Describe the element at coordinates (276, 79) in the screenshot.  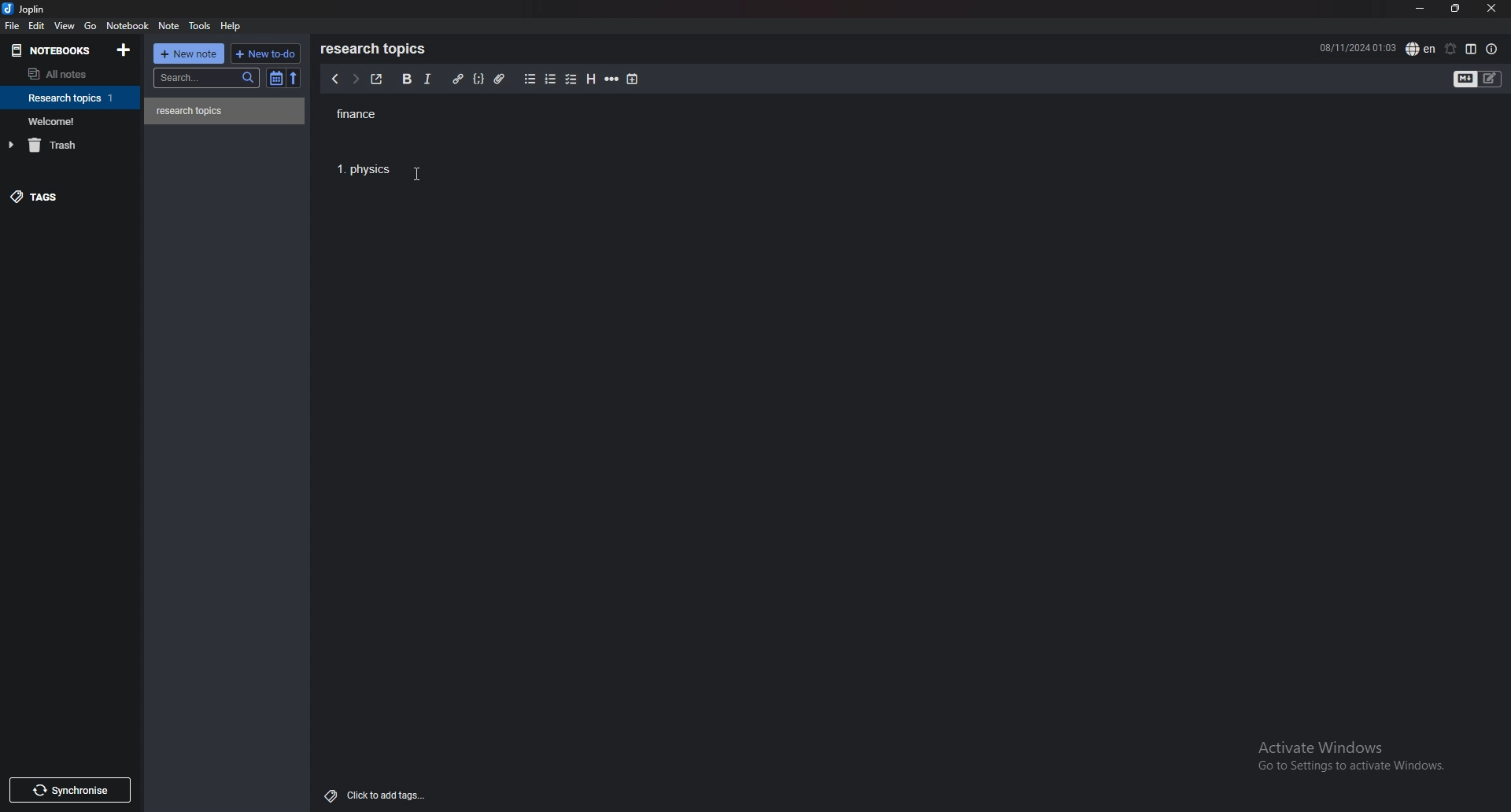
I see `toggle sort order` at that location.